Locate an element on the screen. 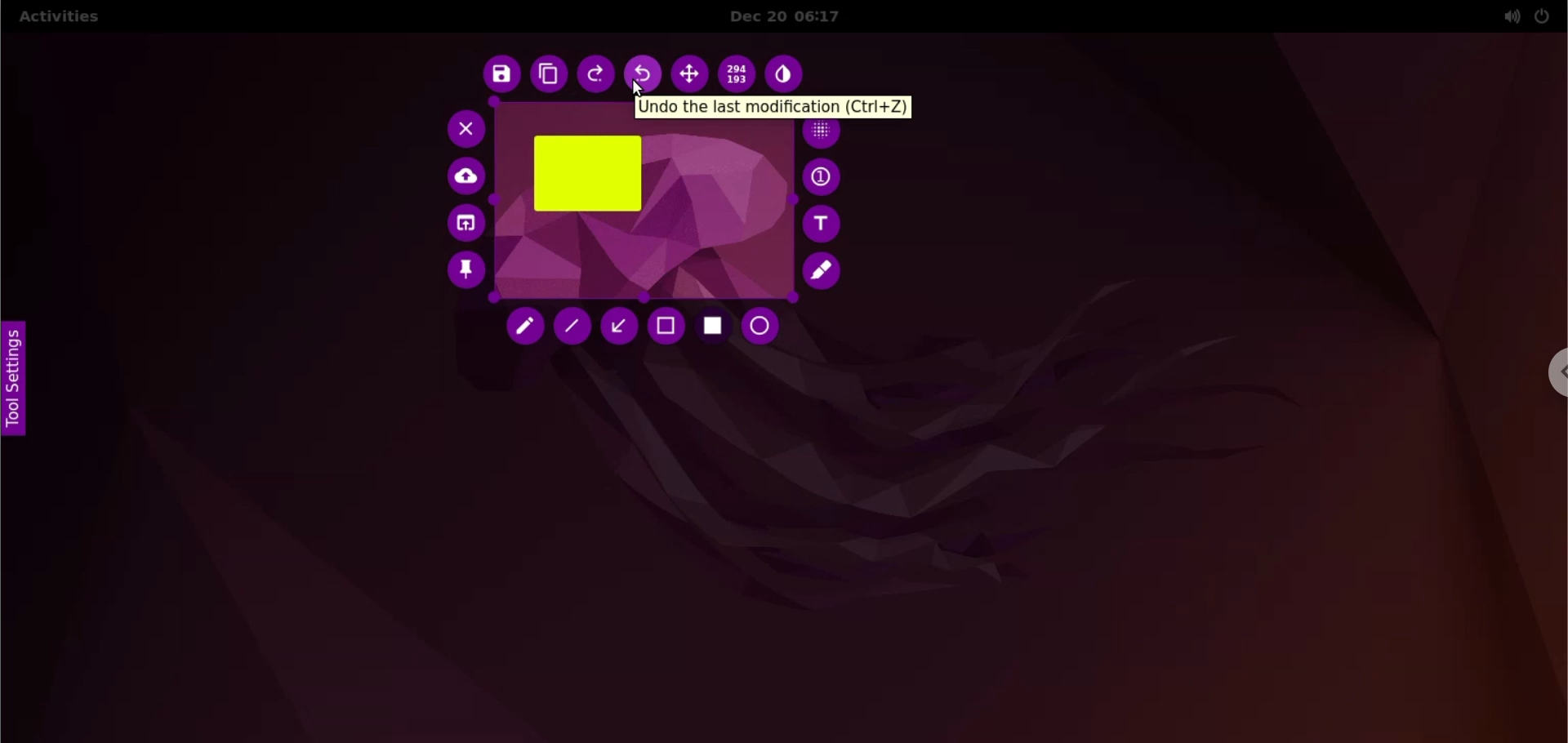  activities is located at coordinates (58, 19).